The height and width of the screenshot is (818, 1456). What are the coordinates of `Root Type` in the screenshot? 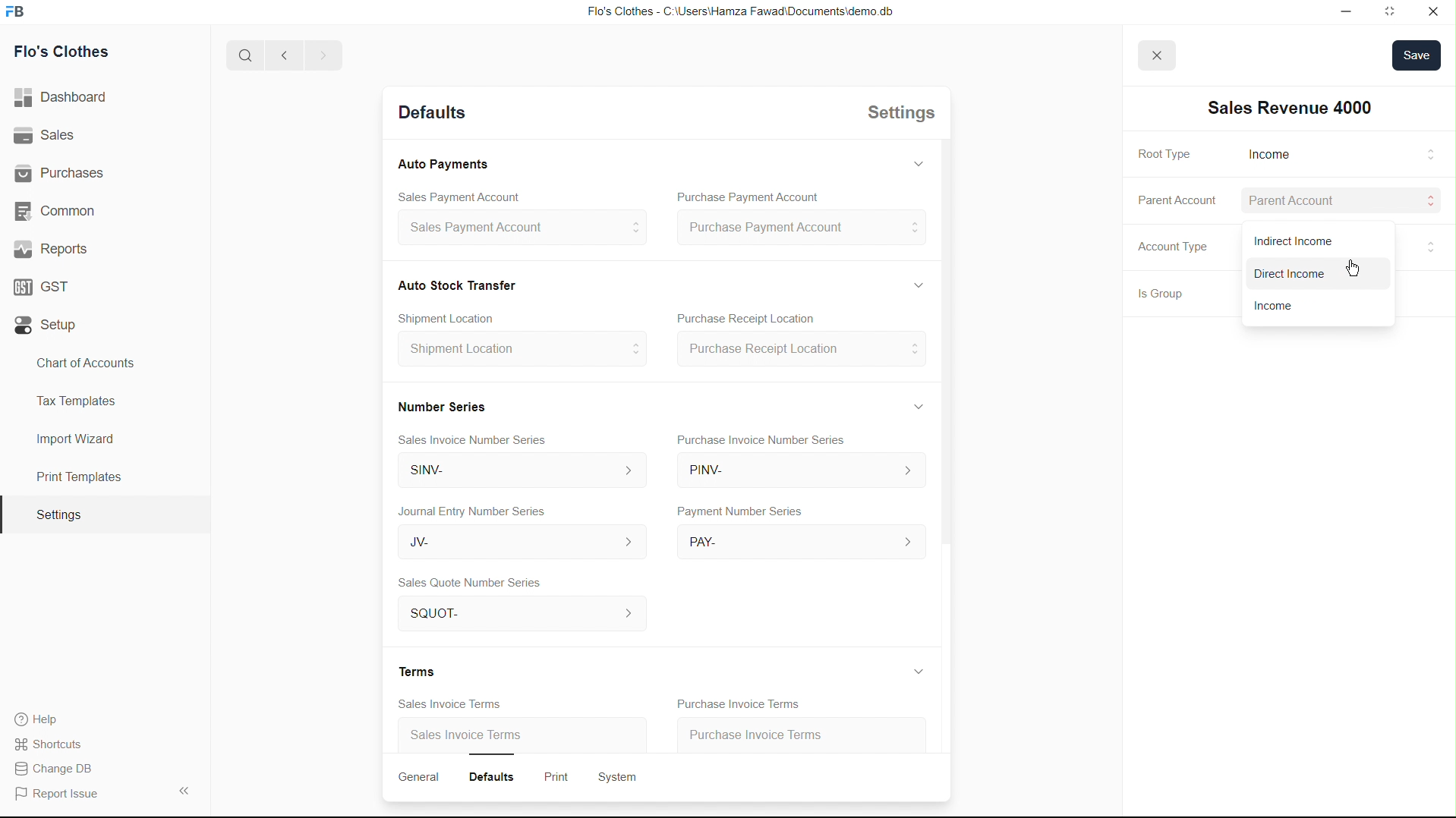 It's located at (1267, 154).